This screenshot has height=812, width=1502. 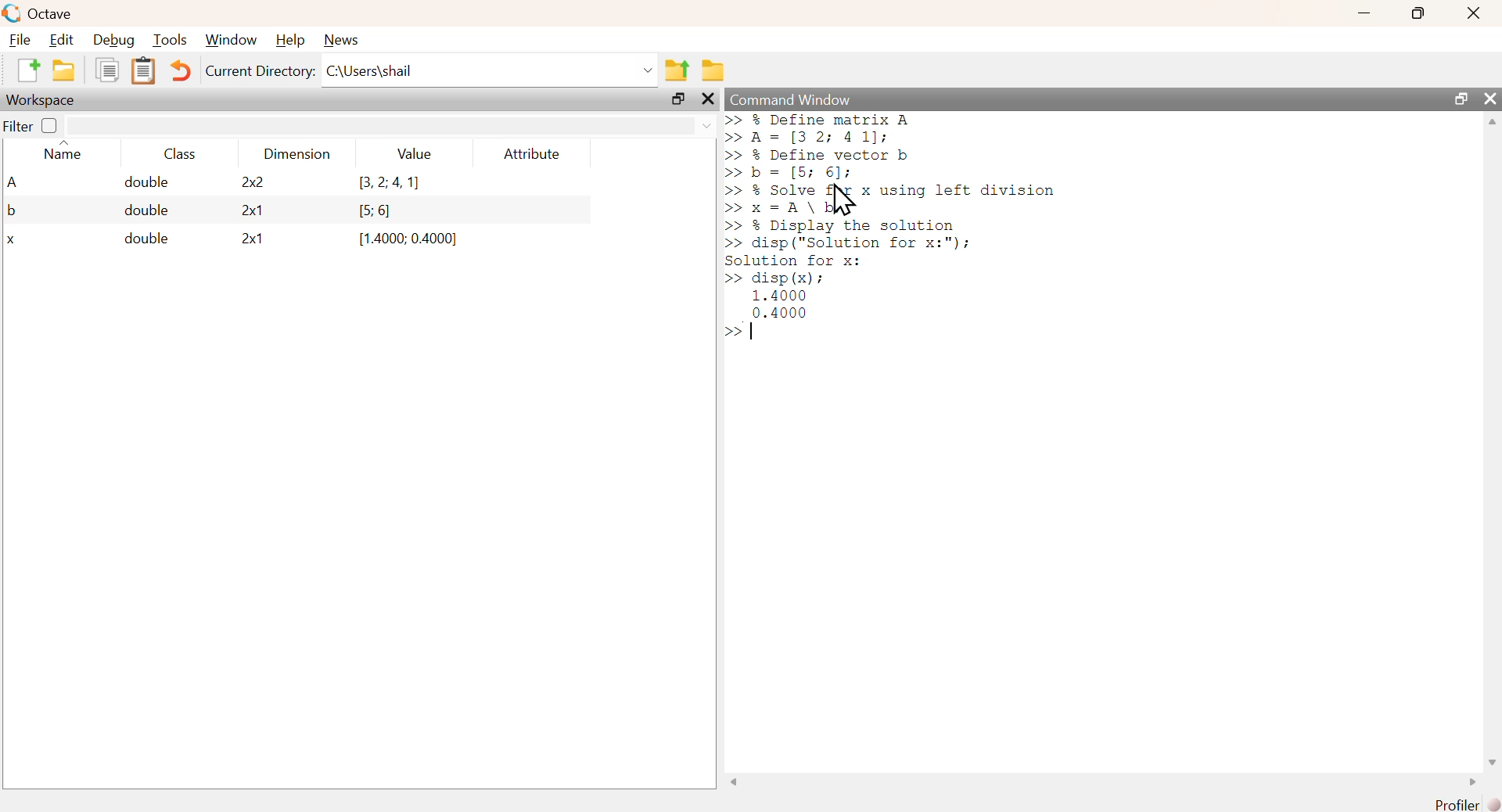 I want to click on debug, so click(x=113, y=41).